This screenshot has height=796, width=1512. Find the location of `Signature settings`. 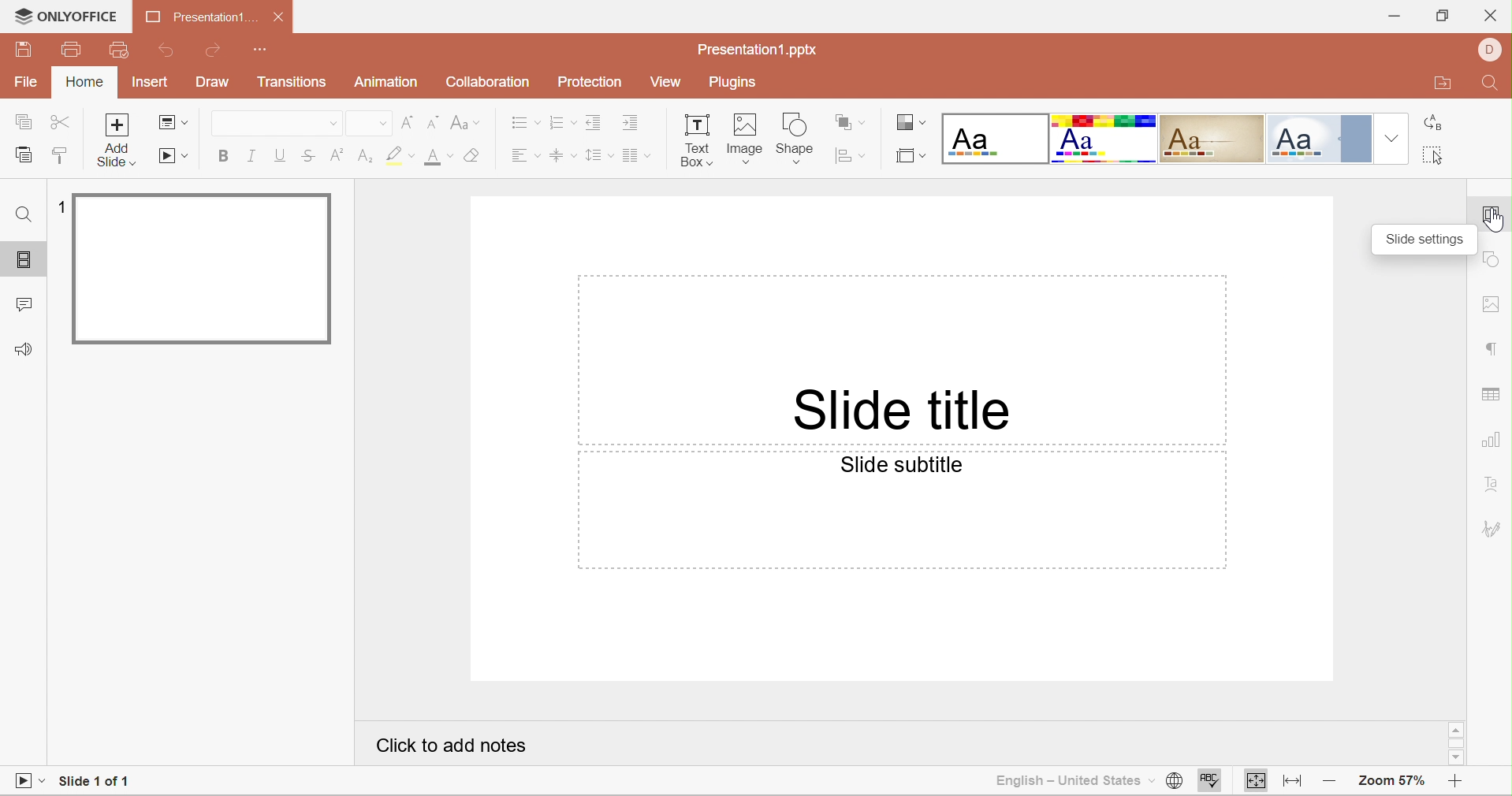

Signature settings is located at coordinates (1494, 527).